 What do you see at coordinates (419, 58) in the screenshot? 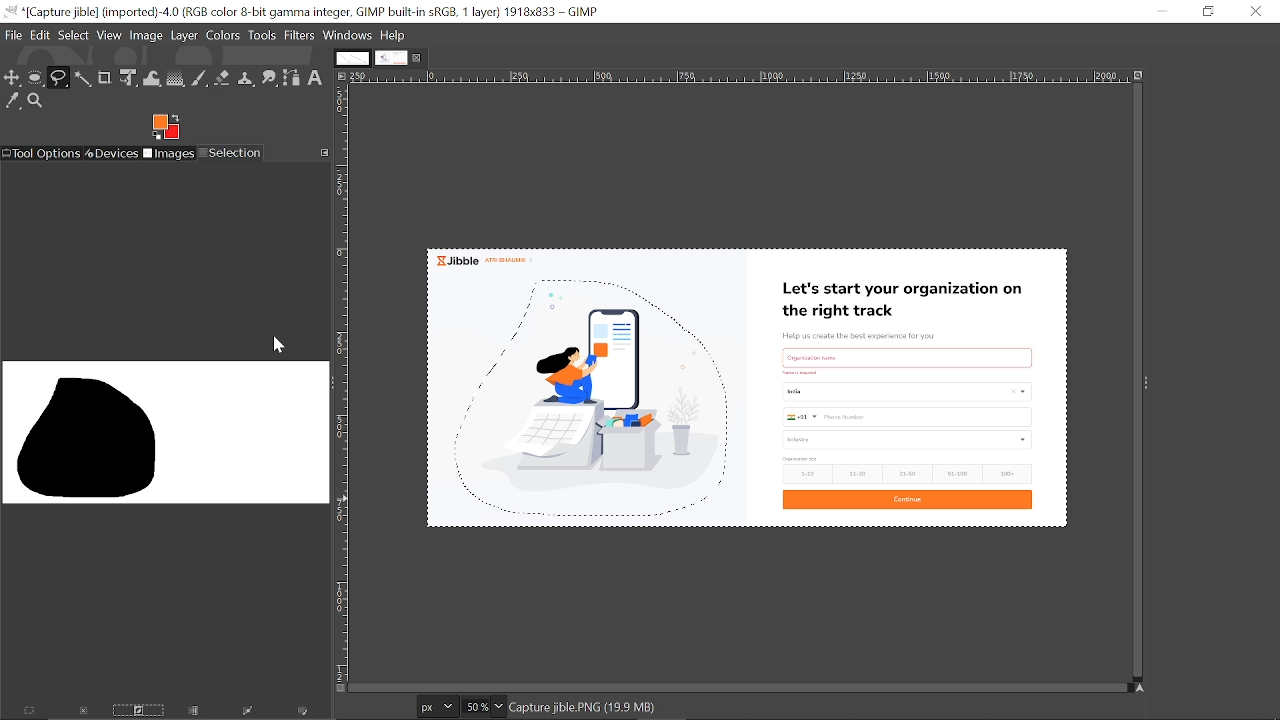
I see `Close current tab` at bounding box center [419, 58].